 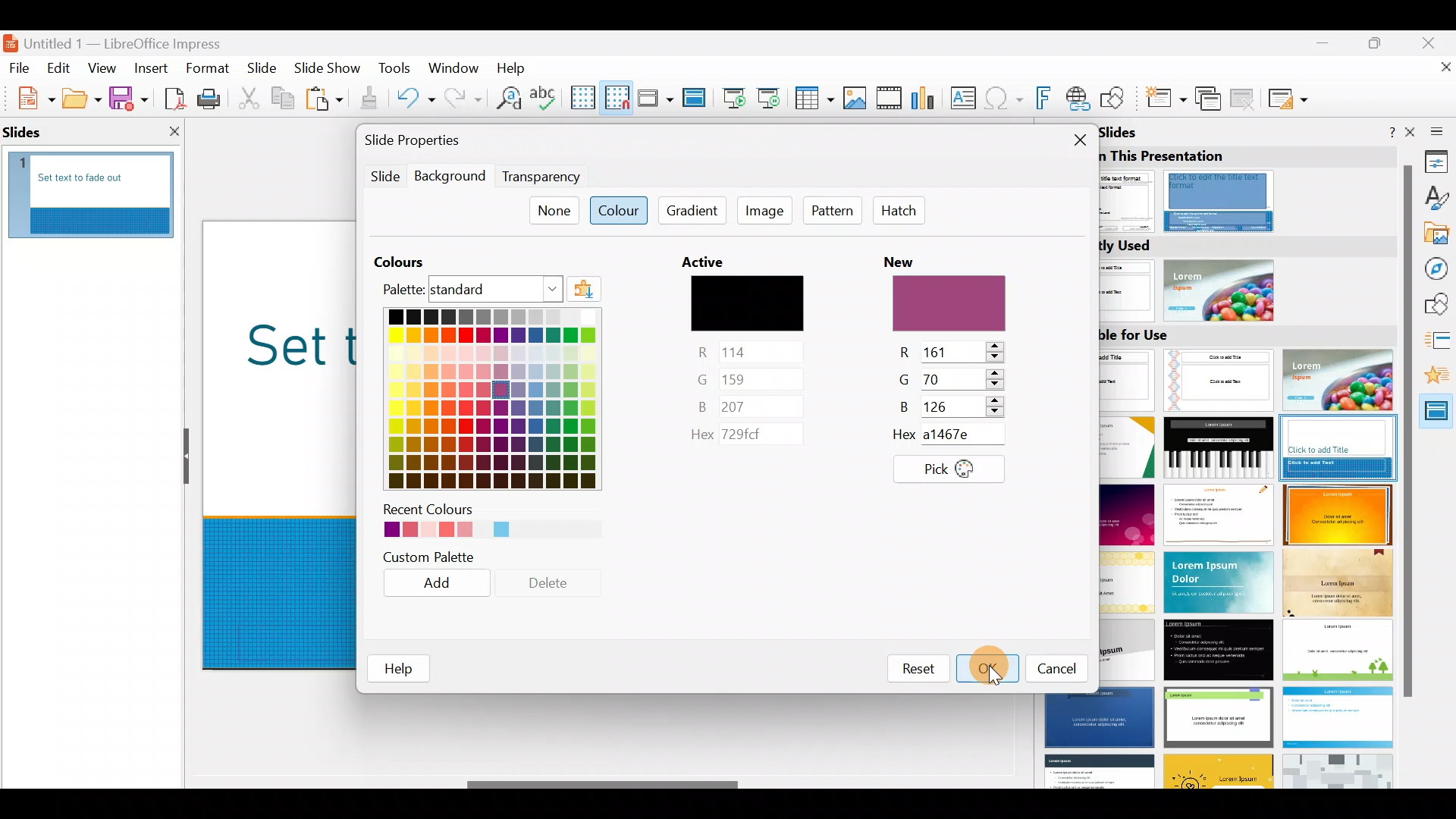 What do you see at coordinates (206, 67) in the screenshot?
I see `Format` at bounding box center [206, 67].